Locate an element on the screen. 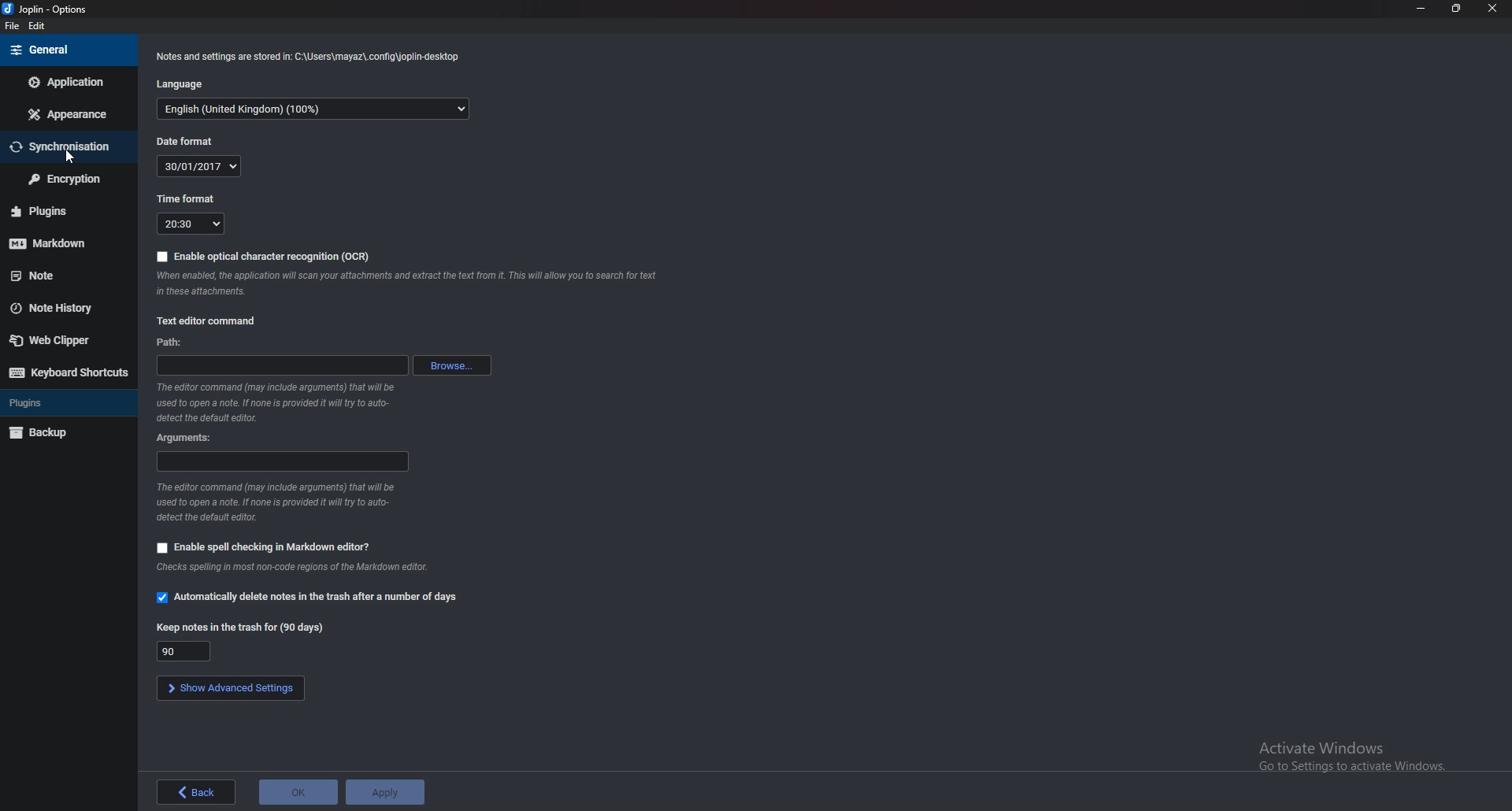  automatically delete notes in trash is located at coordinates (321, 598).